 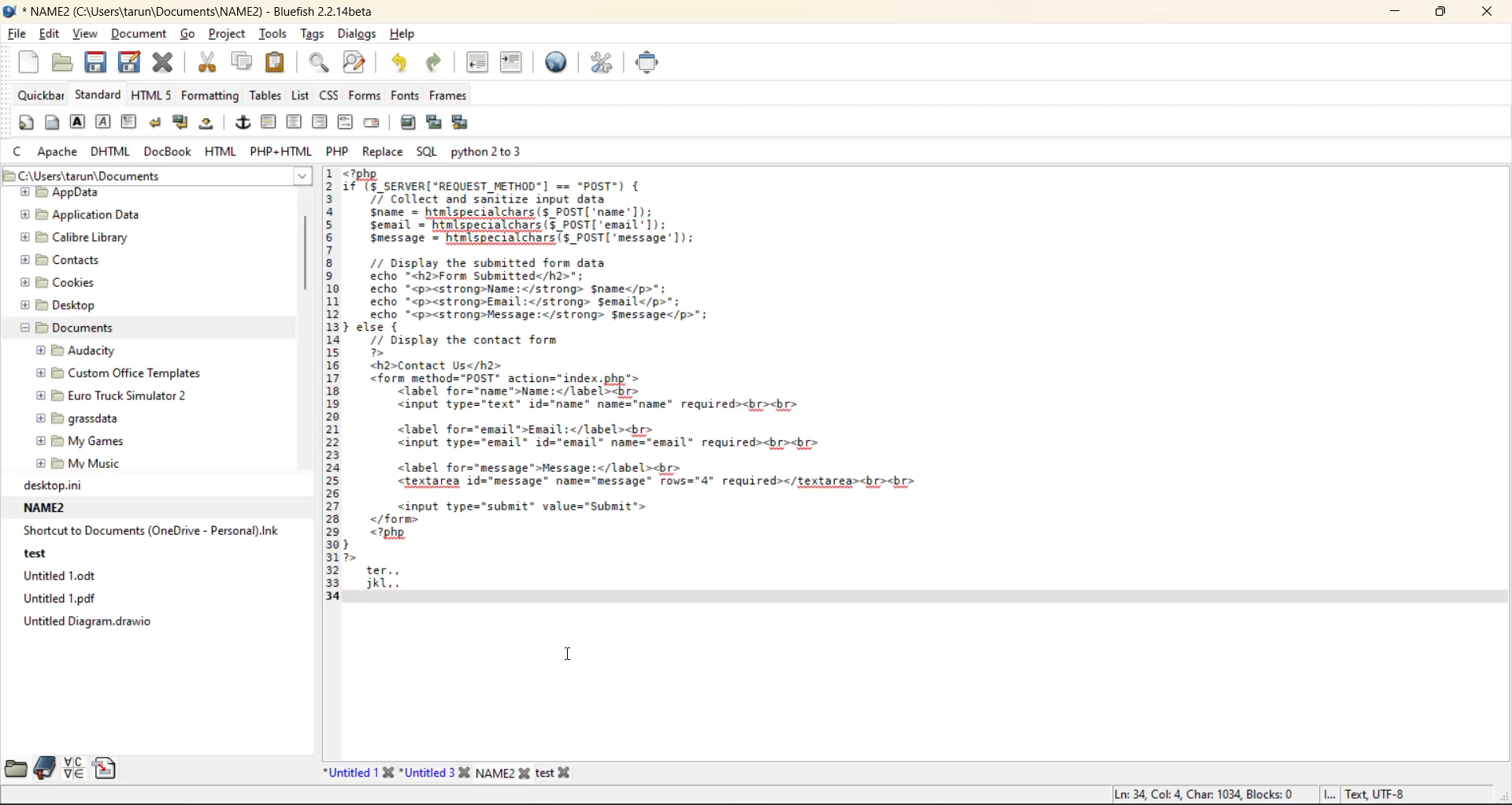 What do you see at coordinates (97, 94) in the screenshot?
I see `standard` at bounding box center [97, 94].